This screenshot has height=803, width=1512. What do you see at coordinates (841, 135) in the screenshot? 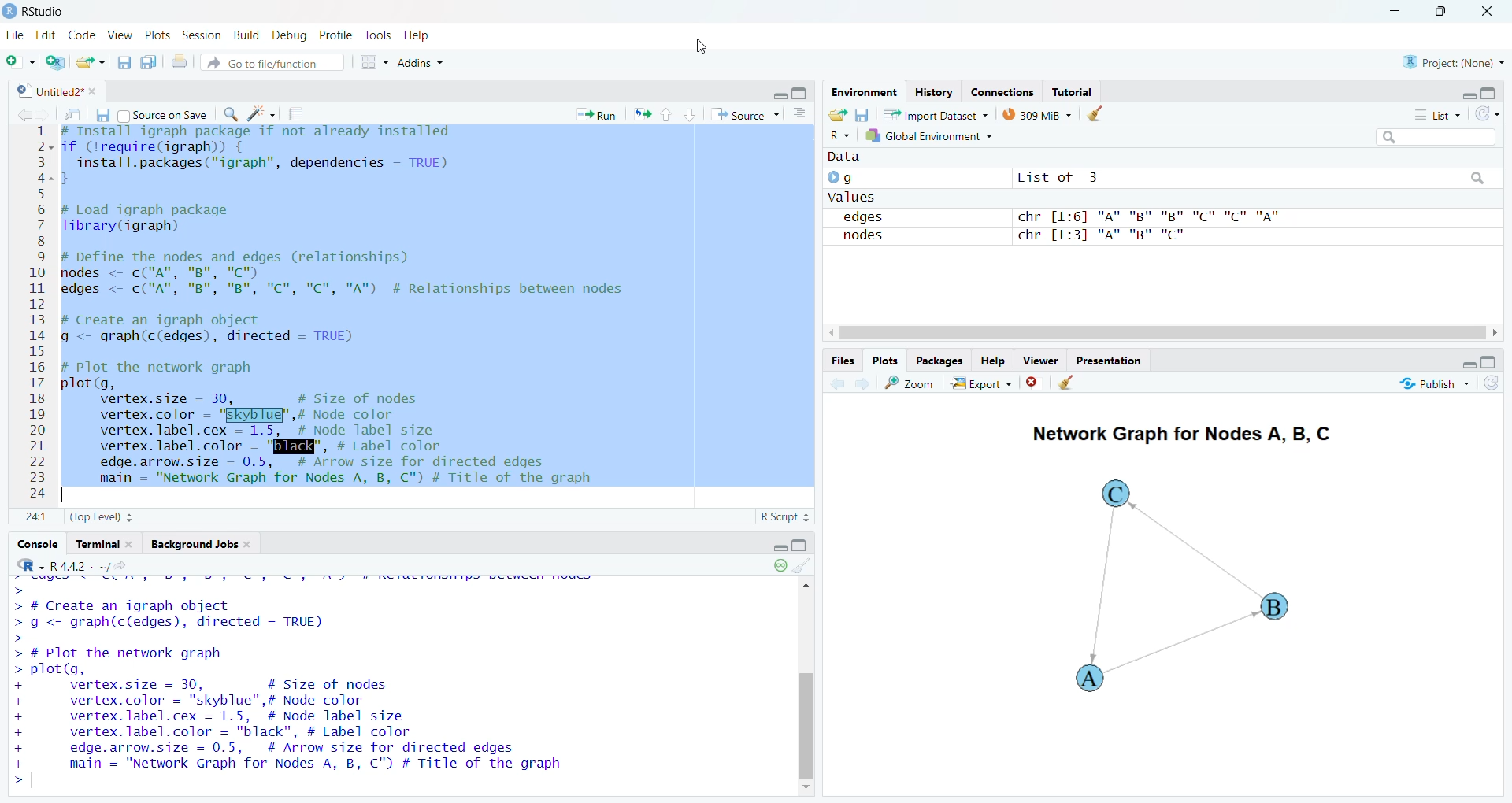
I see `R` at bounding box center [841, 135].